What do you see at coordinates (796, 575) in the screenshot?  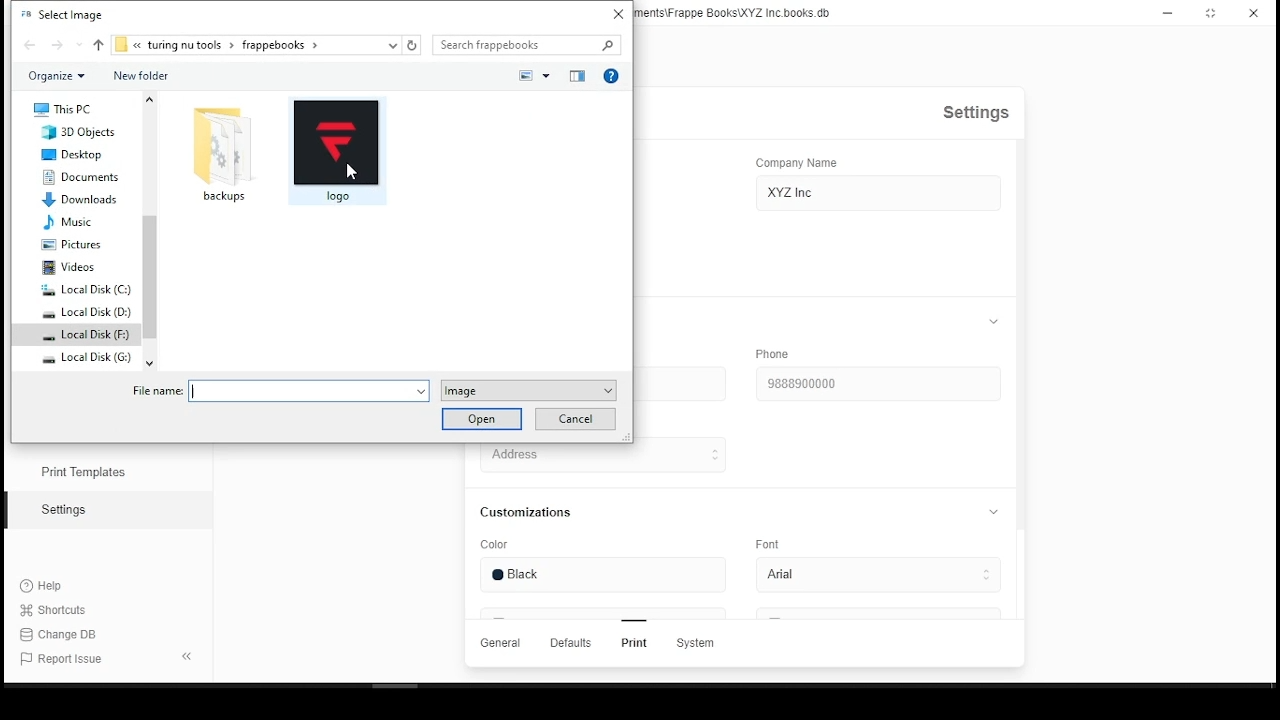 I see `arial` at bounding box center [796, 575].